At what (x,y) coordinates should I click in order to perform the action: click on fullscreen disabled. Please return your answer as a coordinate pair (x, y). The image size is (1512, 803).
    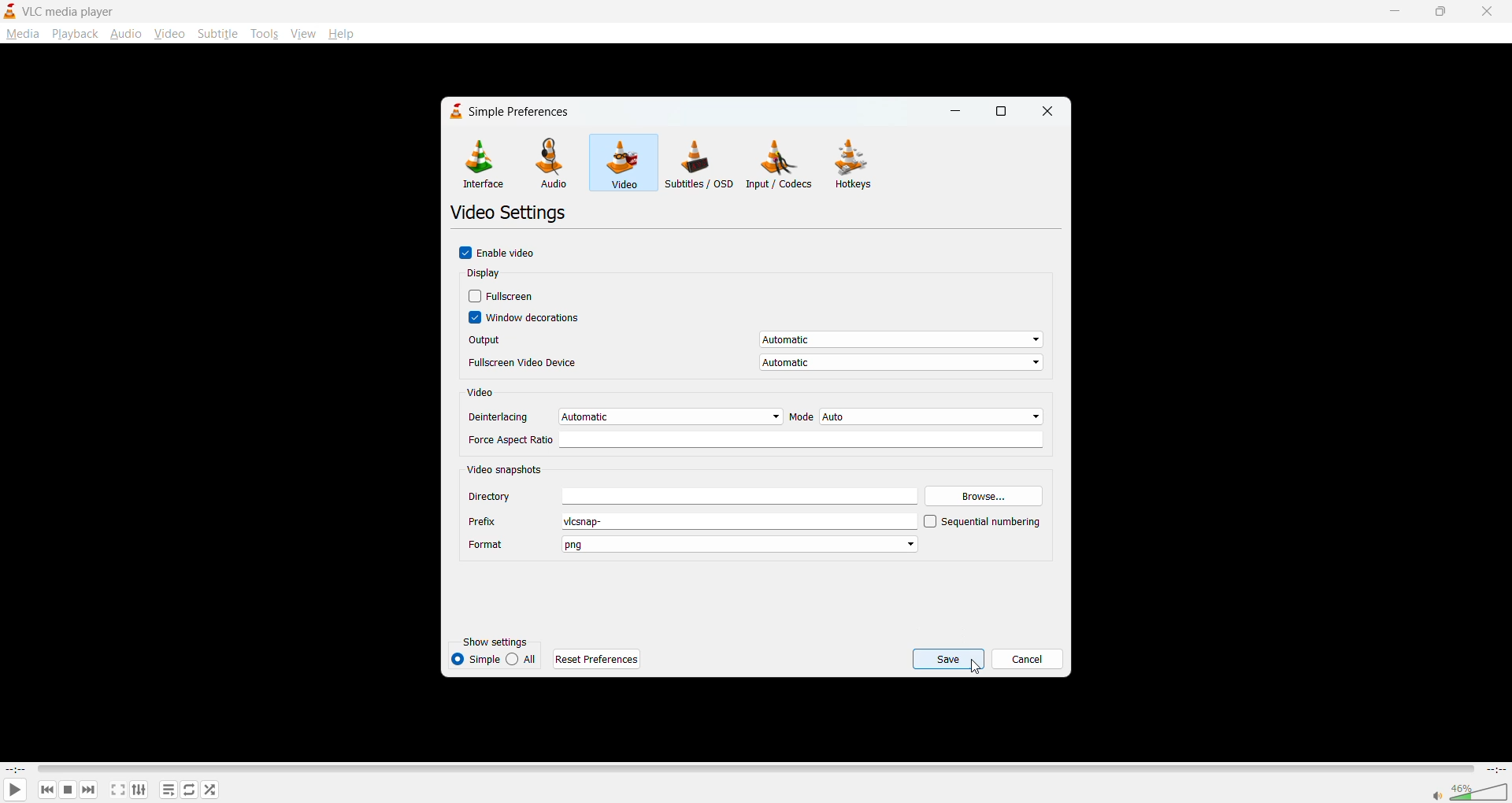
    Looking at the image, I should click on (504, 297).